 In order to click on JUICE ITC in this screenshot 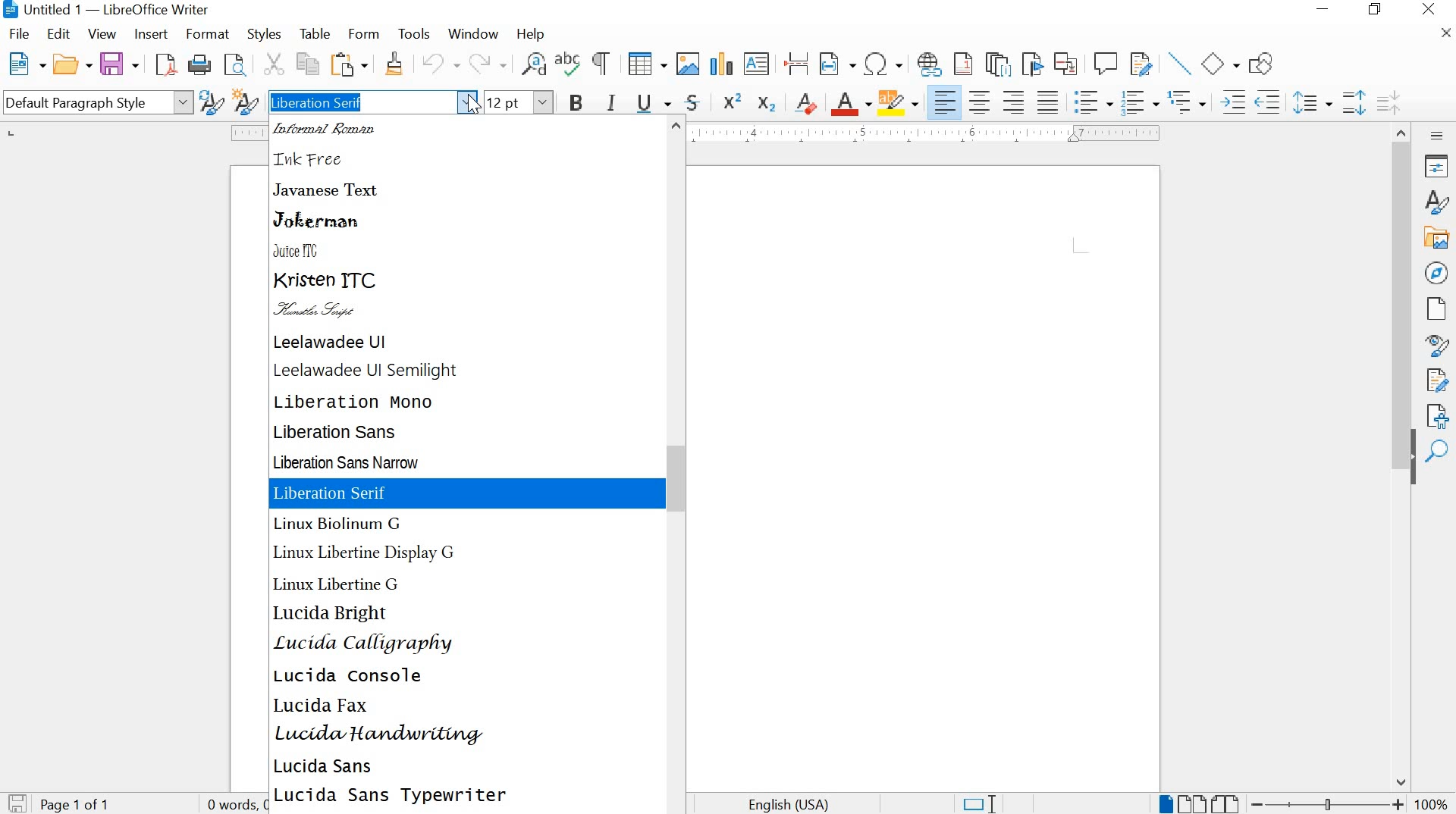, I will do `click(300, 250)`.